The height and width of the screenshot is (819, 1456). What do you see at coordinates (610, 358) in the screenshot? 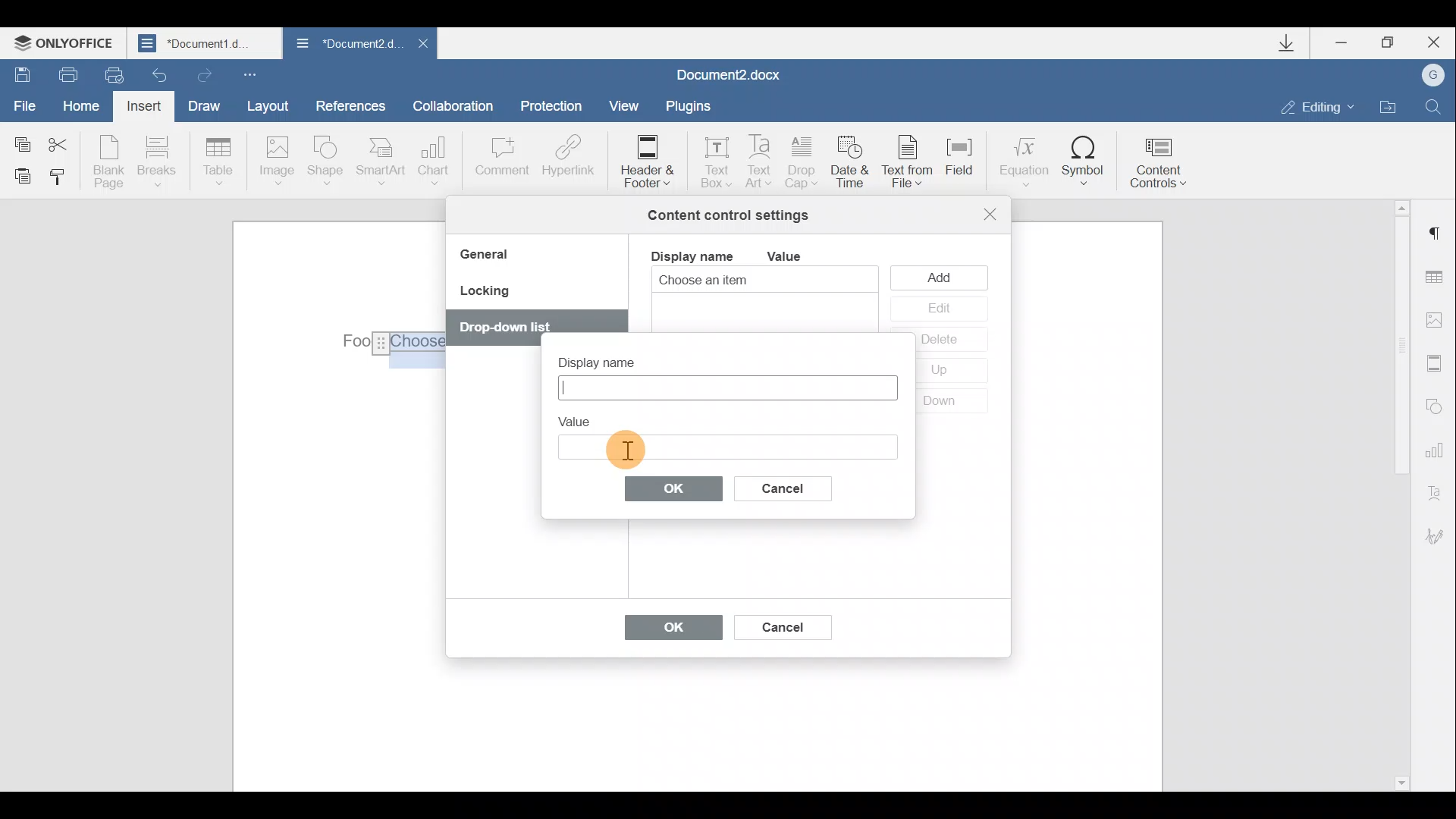
I see `Display name` at bounding box center [610, 358].